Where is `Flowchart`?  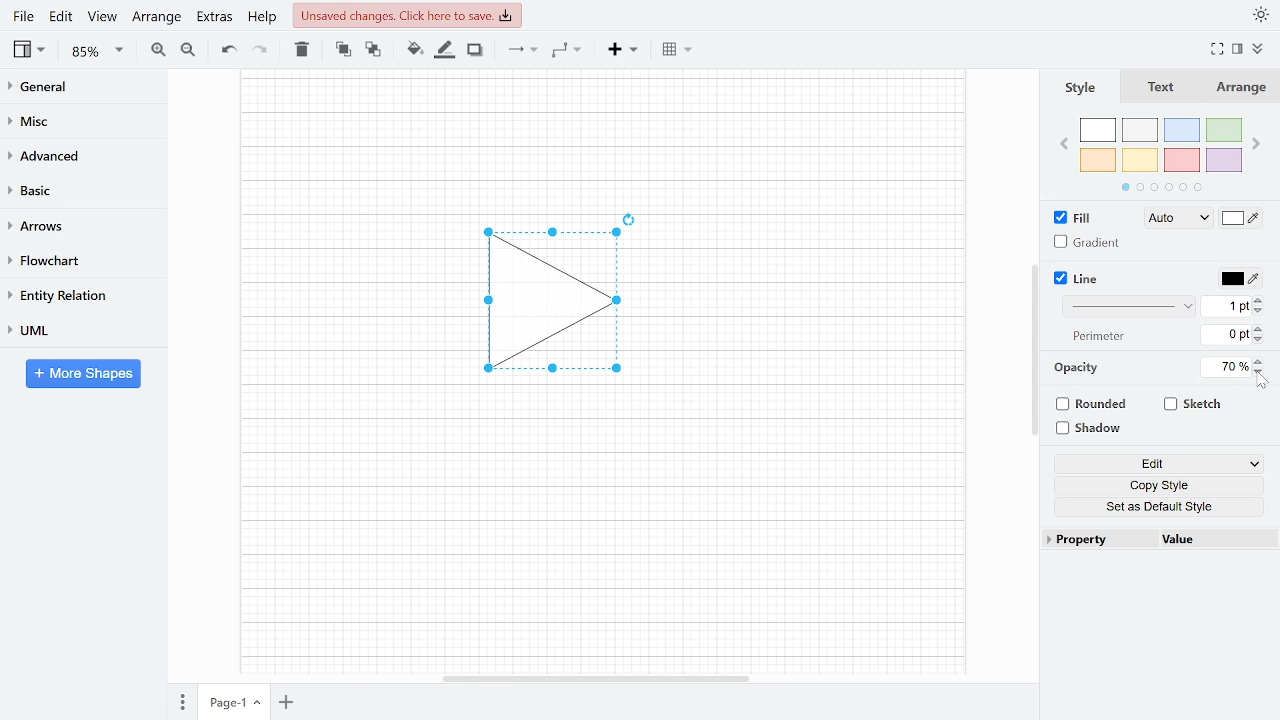
Flowchart is located at coordinates (75, 261).